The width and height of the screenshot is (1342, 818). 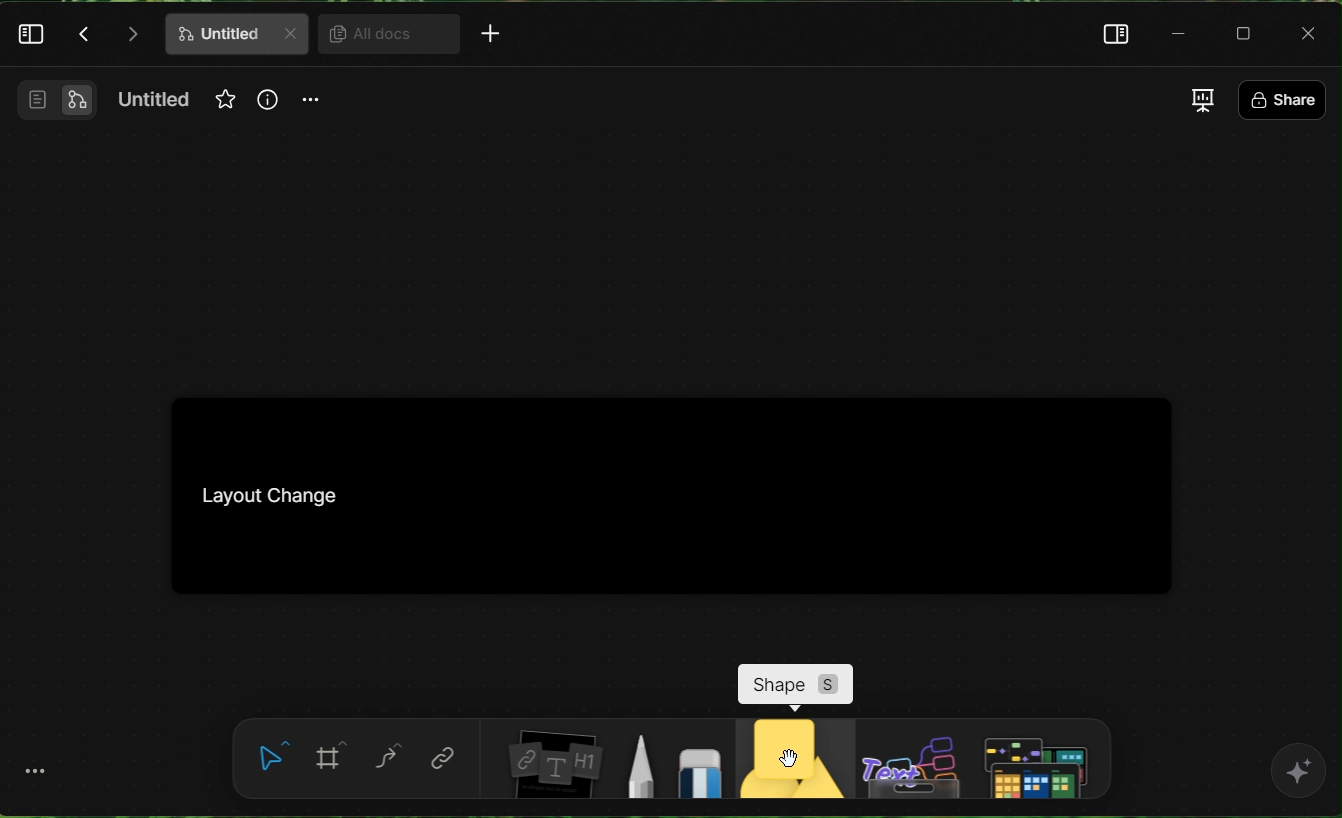 I want to click on more, so click(x=35, y=771).